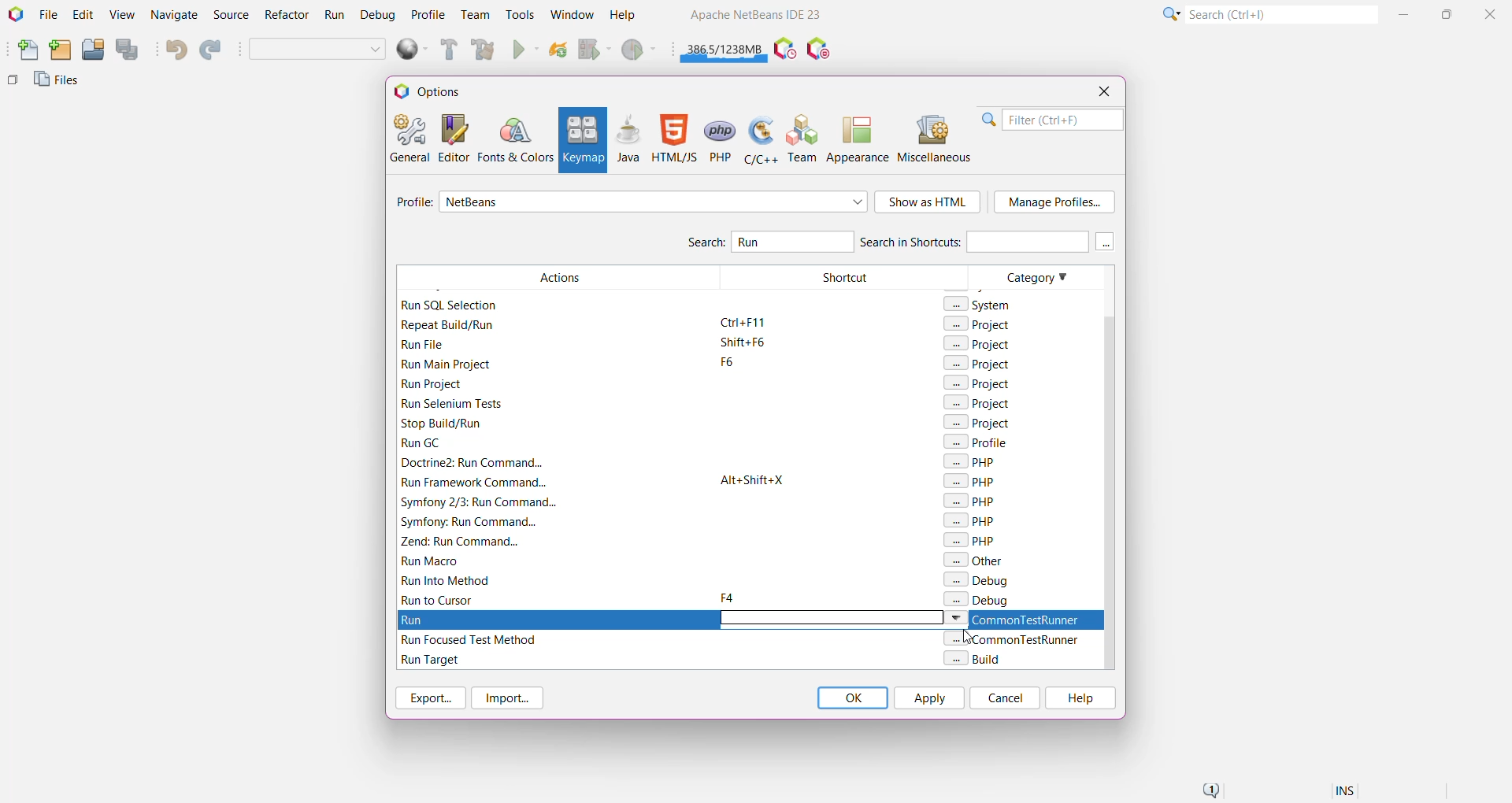 Image resolution: width=1512 pixels, height=803 pixels. I want to click on Category, so click(1008, 646).